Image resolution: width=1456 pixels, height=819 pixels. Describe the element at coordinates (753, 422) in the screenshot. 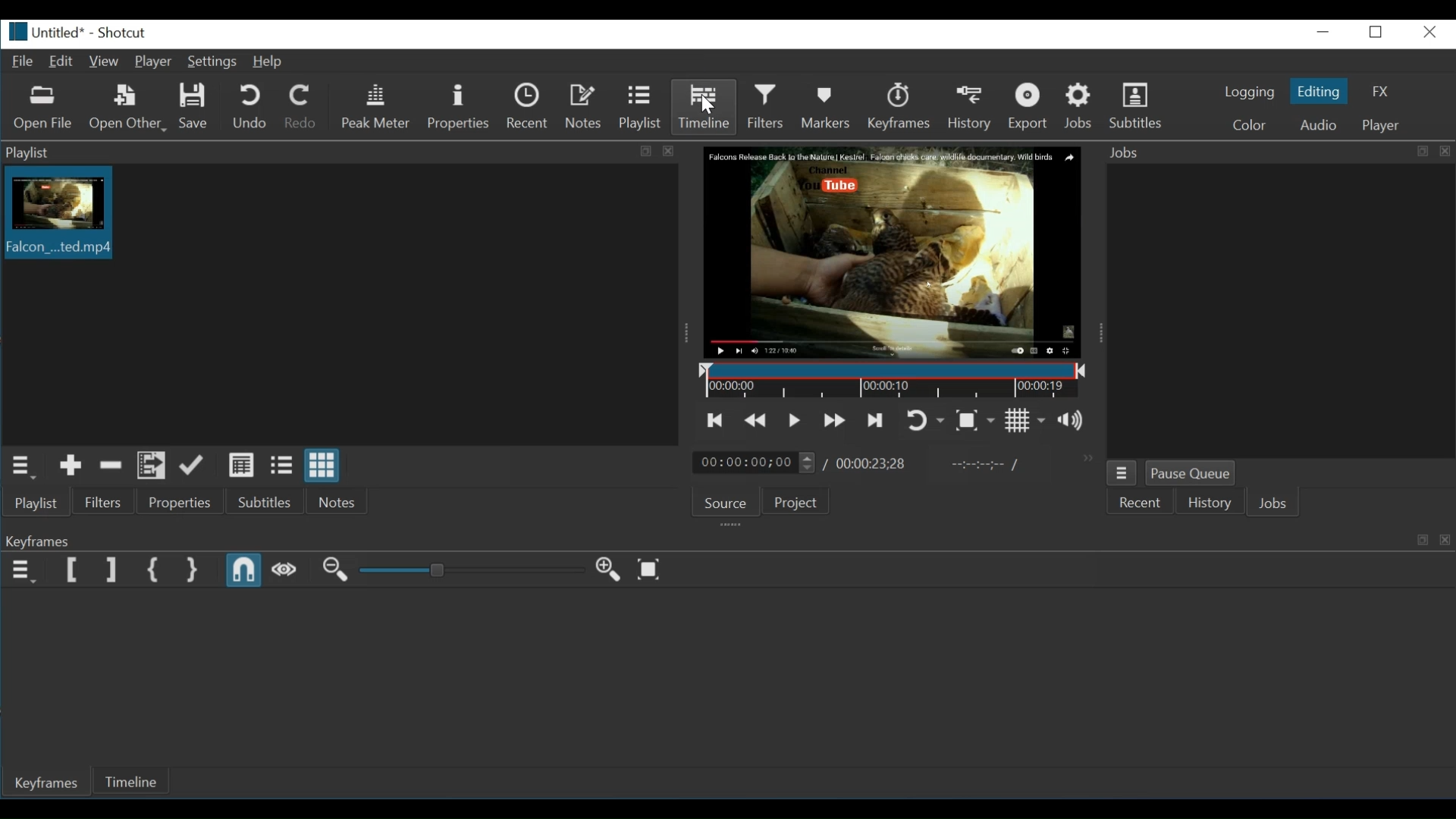

I see `play quickly backwards` at that location.